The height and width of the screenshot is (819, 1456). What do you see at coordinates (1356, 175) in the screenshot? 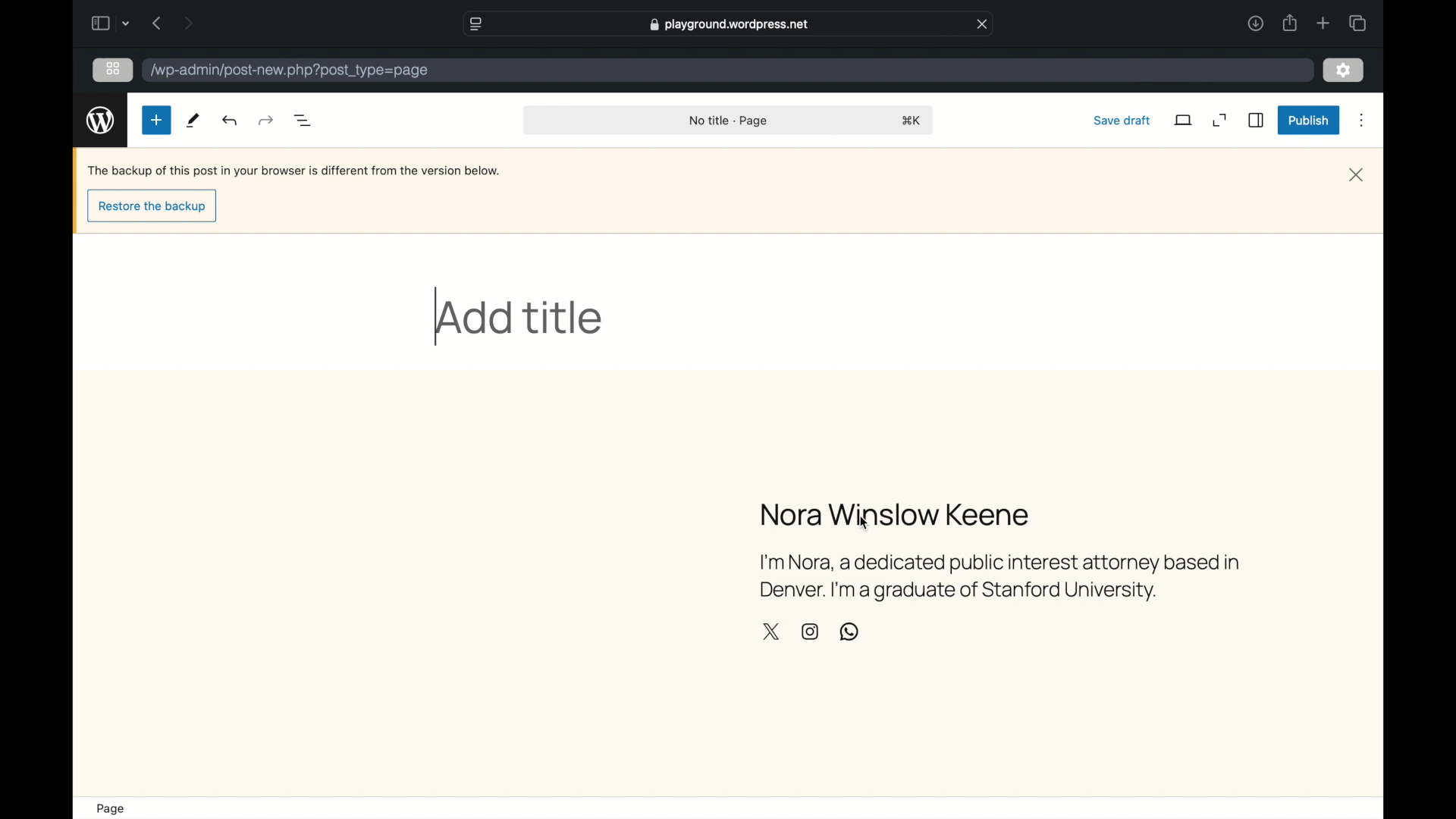
I see `close` at bounding box center [1356, 175].